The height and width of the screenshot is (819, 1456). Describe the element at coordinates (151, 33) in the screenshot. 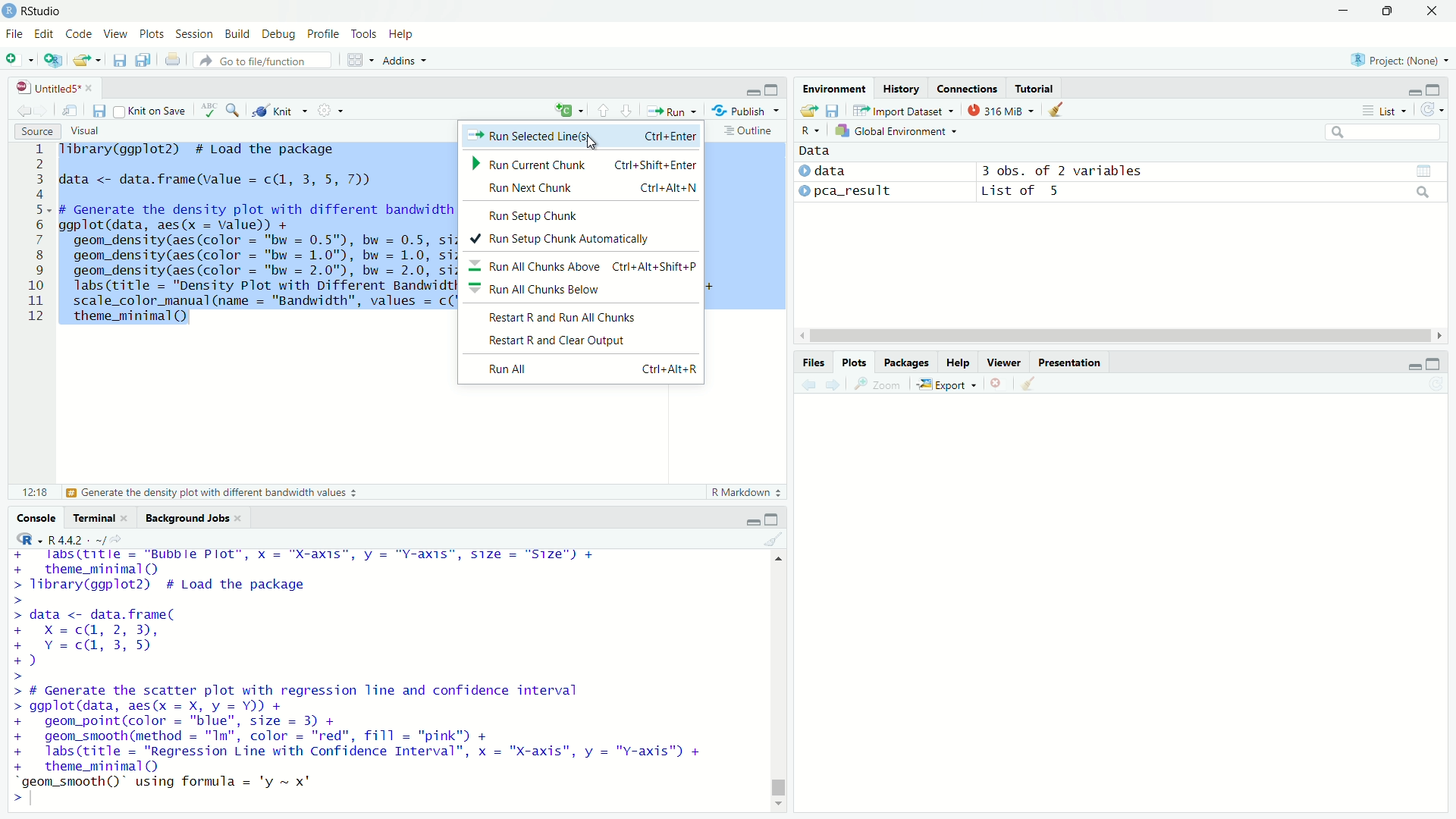

I see `Plots` at that location.